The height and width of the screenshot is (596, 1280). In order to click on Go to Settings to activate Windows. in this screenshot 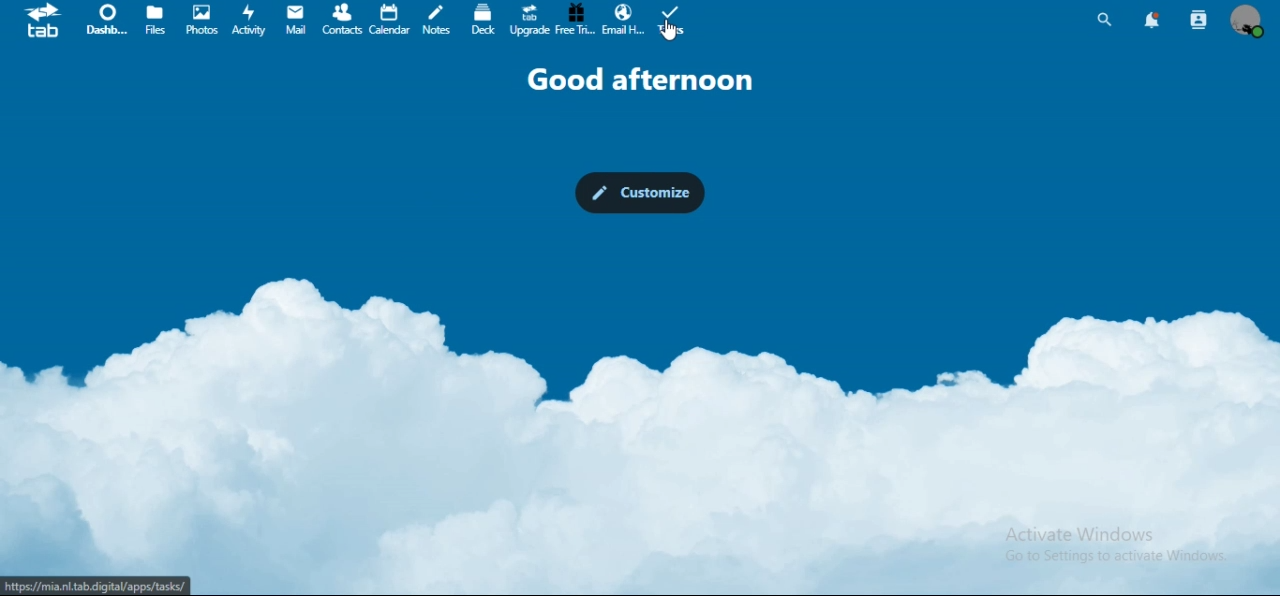, I will do `click(1116, 556)`.